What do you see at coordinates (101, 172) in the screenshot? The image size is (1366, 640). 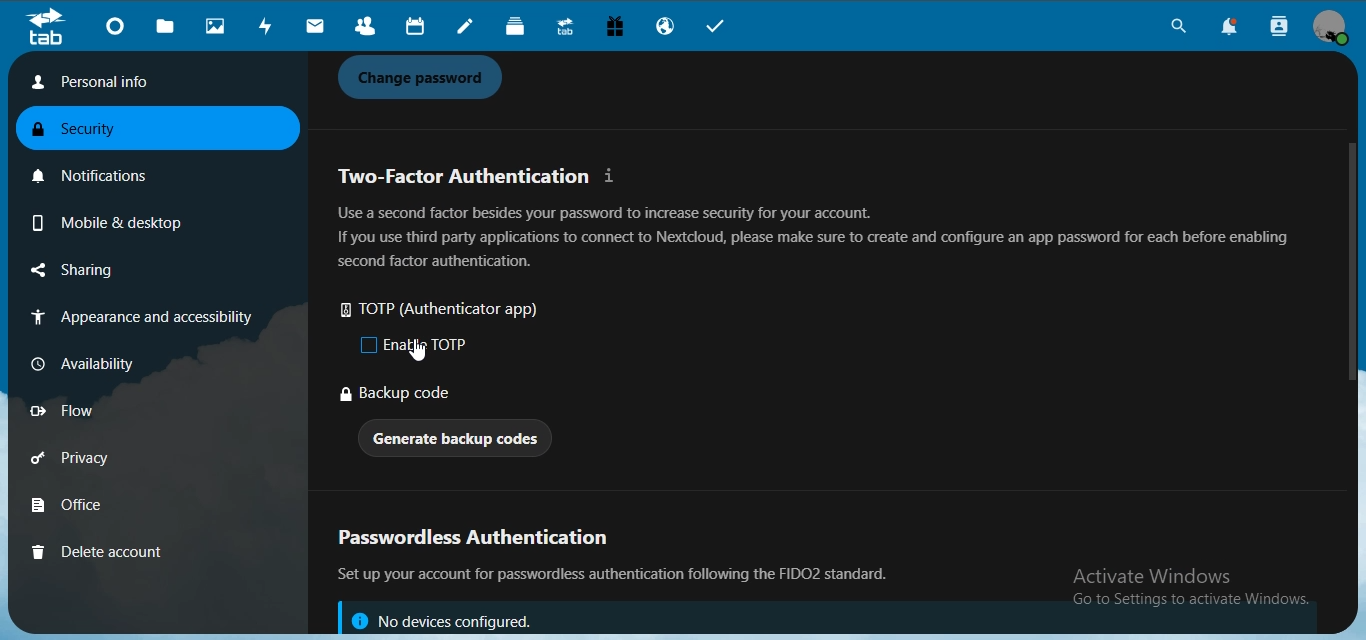 I see `notifications` at bounding box center [101, 172].